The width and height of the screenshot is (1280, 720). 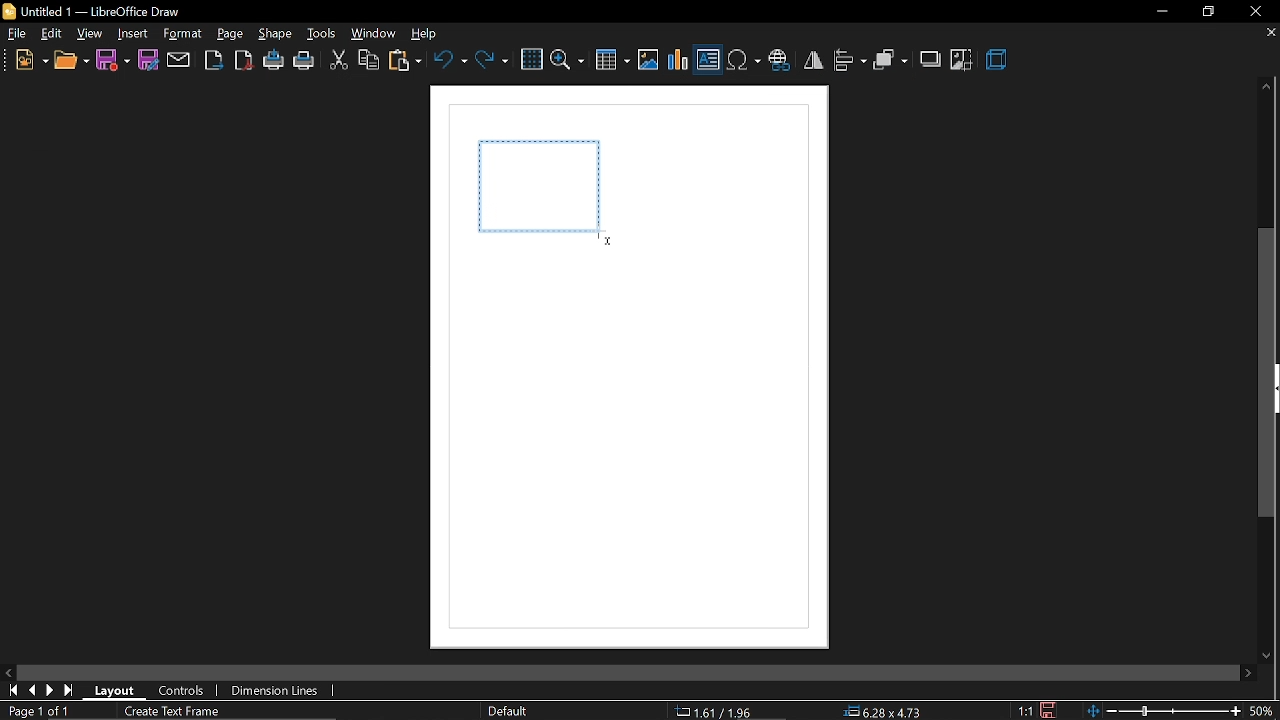 What do you see at coordinates (613, 62) in the screenshot?
I see `insert table` at bounding box center [613, 62].